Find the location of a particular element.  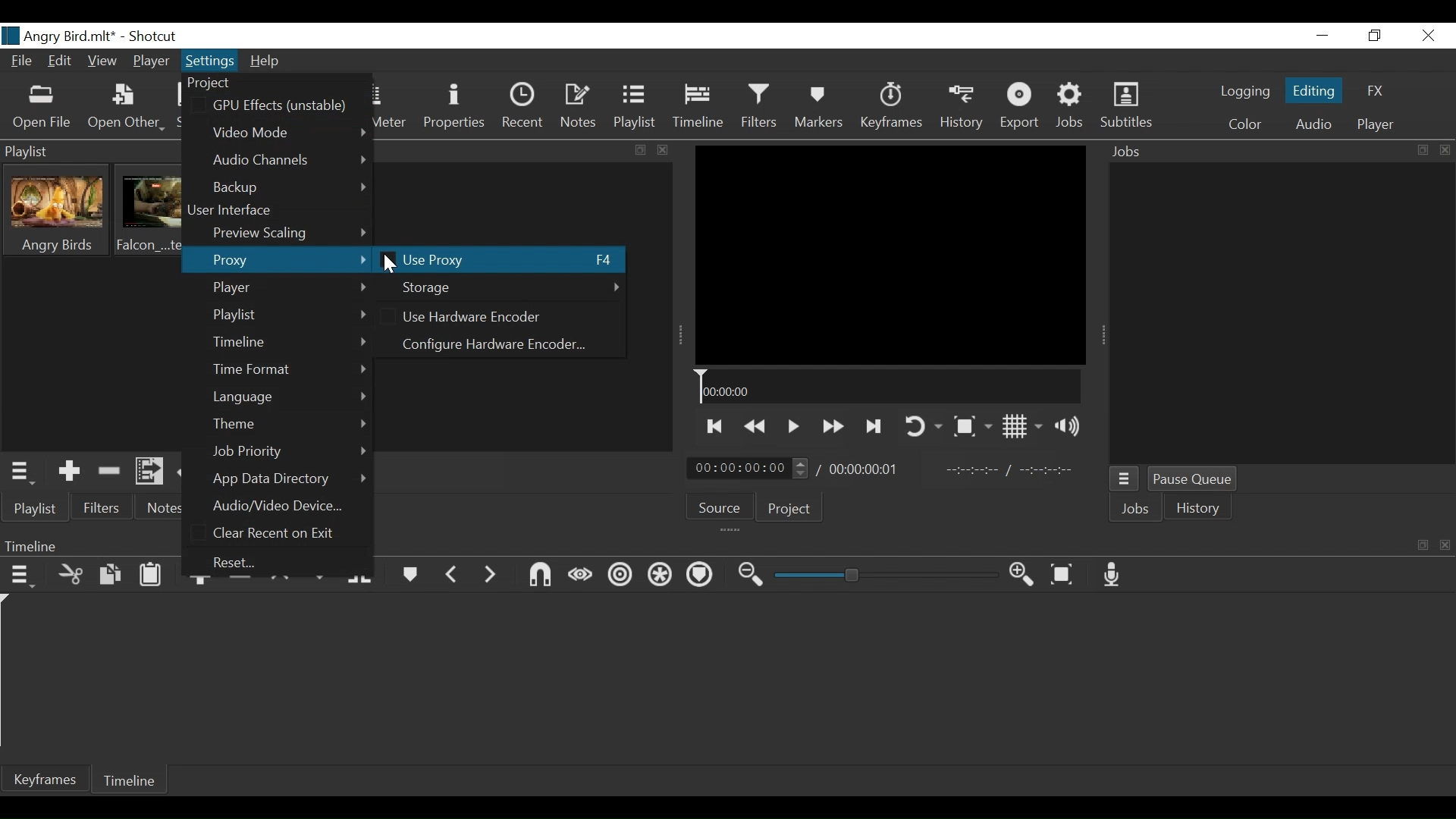

Save is located at coordinates (181, 108).